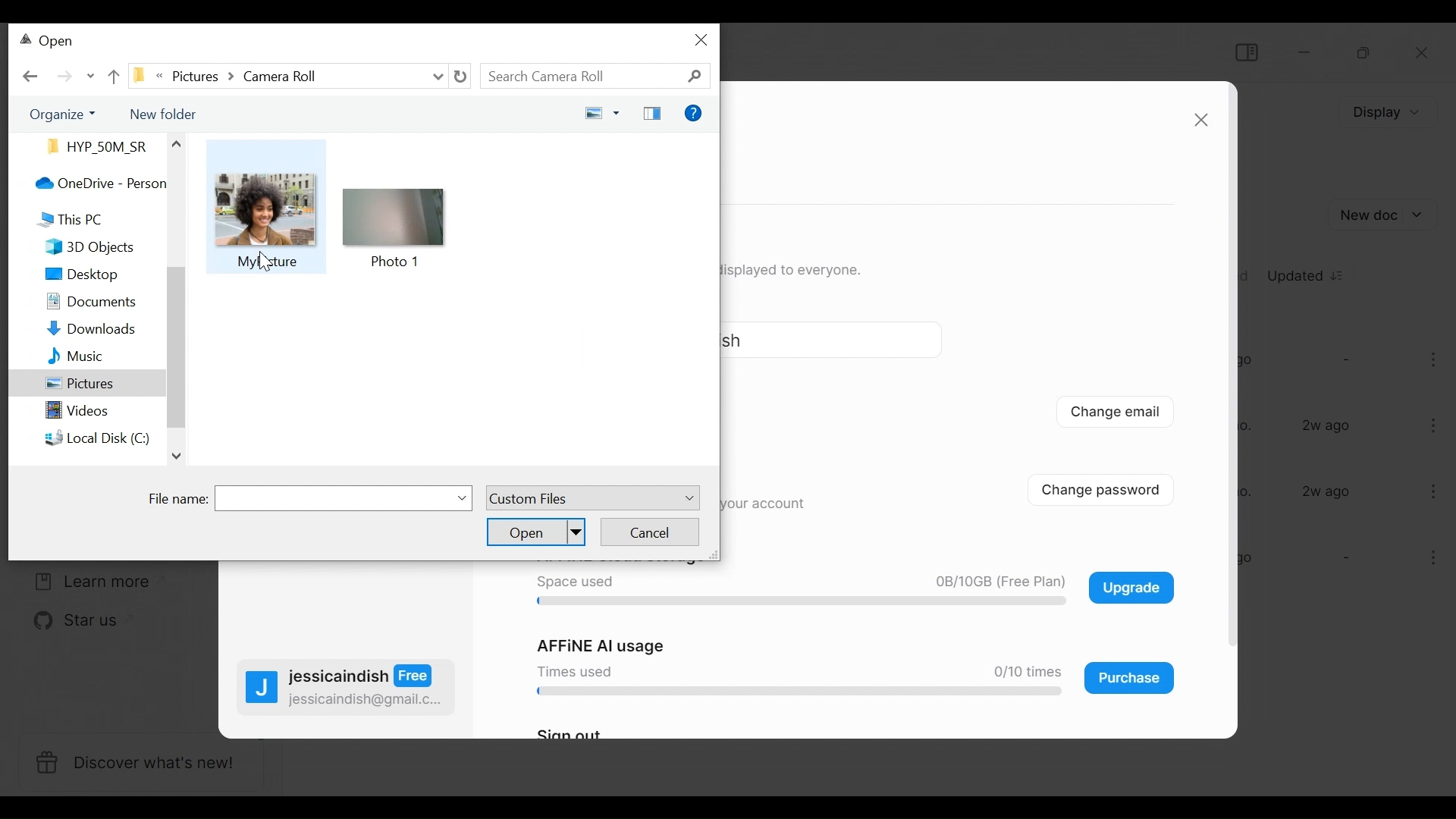 This screenshot has height=819, width=1456. I want to click on Restore, so click(1362, 53).